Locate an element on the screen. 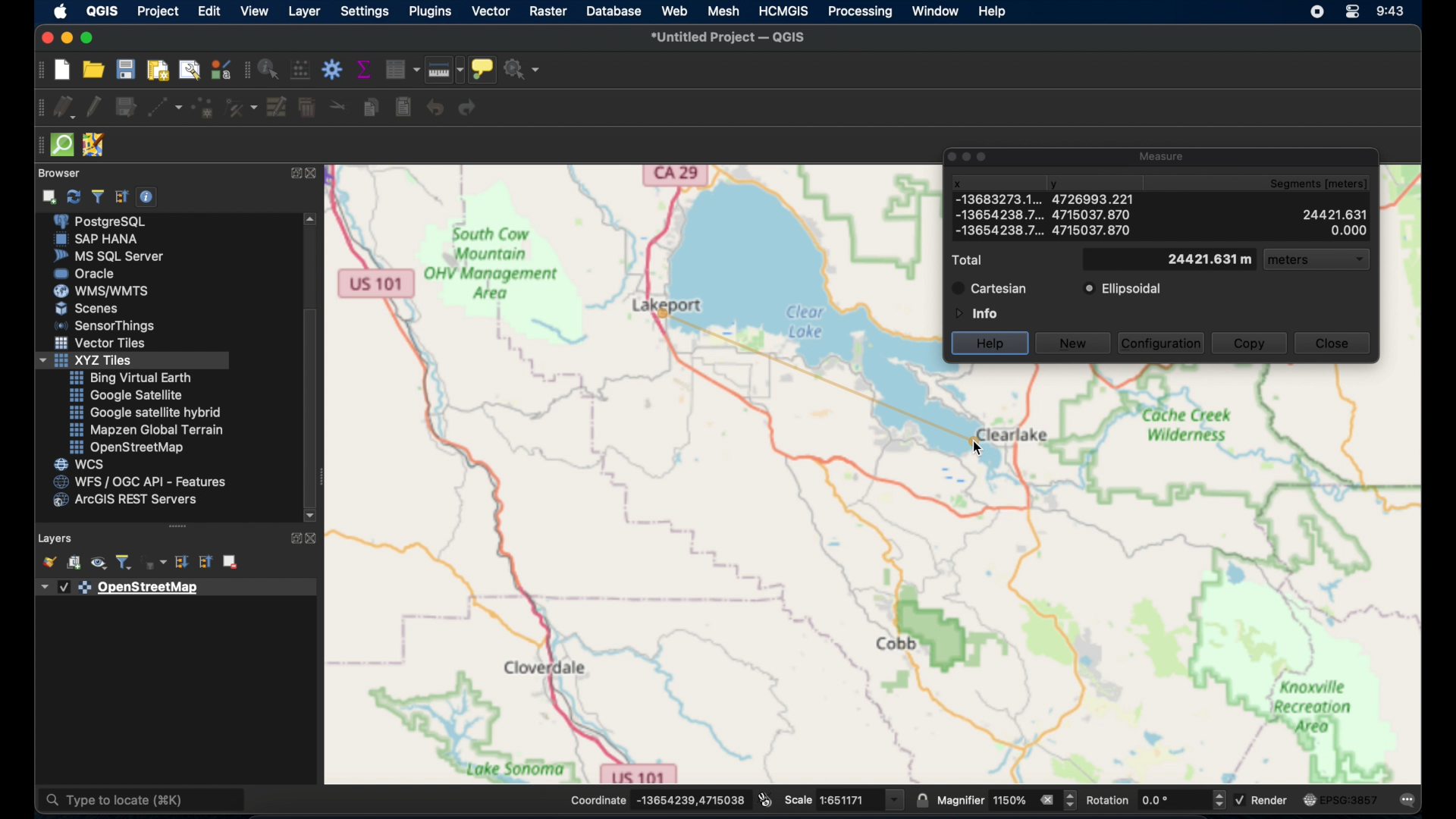 The image size is (1456, 819). add selected is located at coordinates (51, 196).